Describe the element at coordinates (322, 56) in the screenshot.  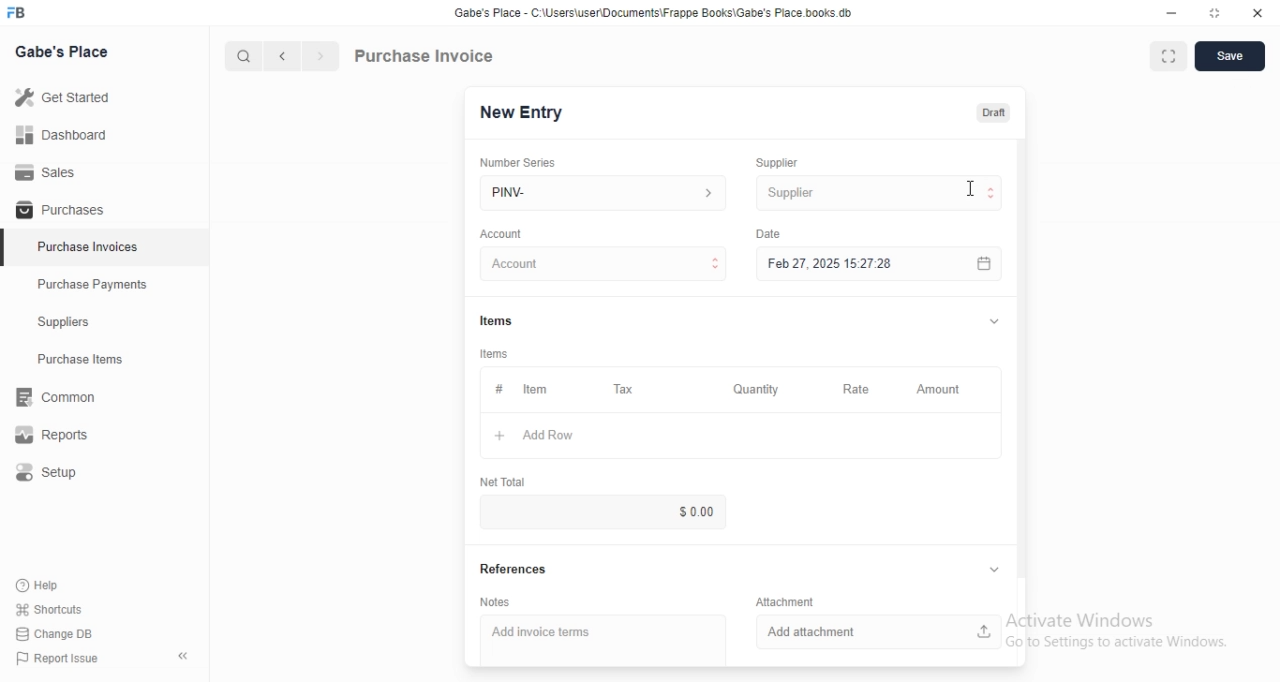
I see `Next` at that location.